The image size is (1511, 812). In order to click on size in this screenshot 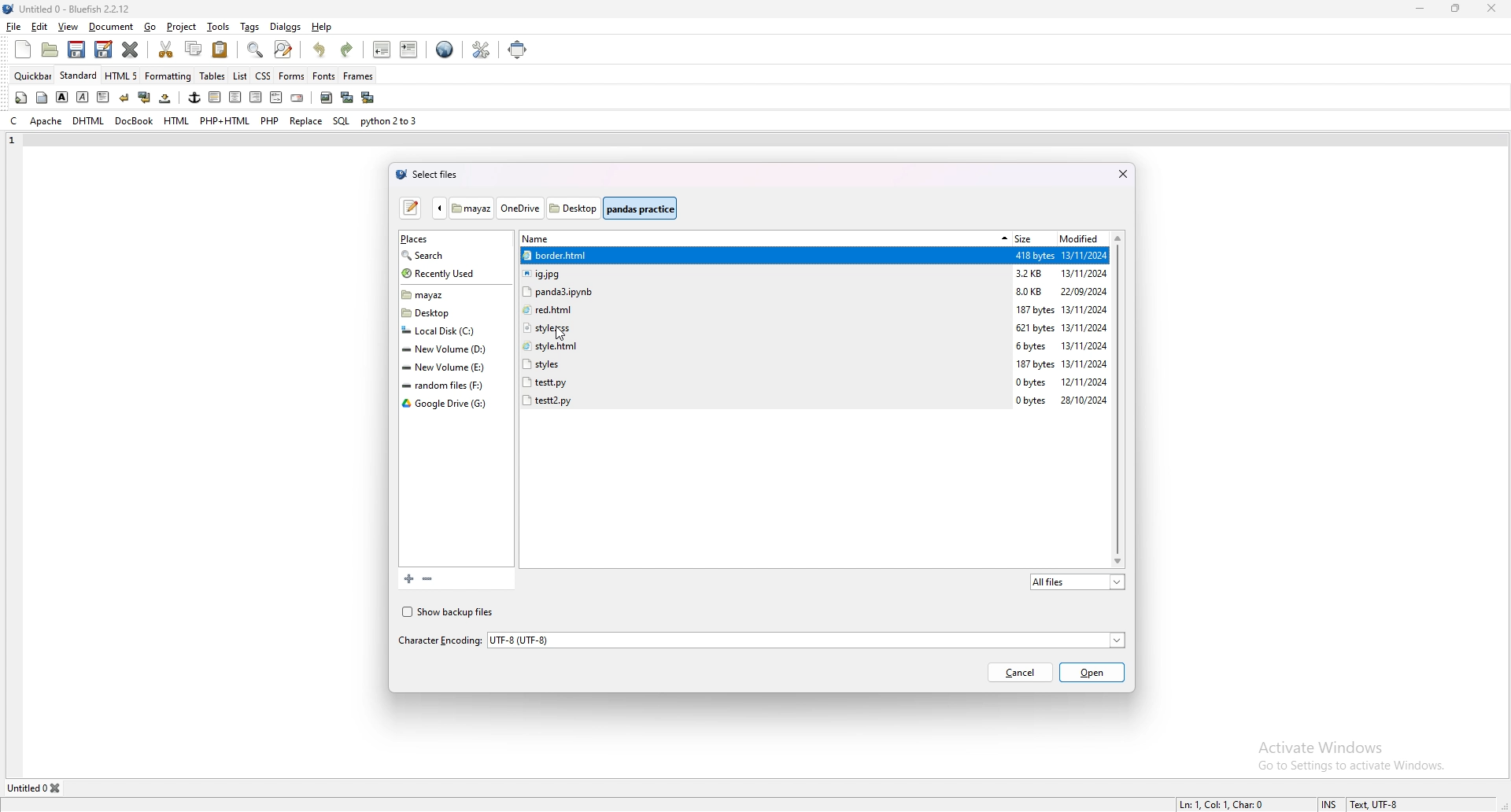, I will do `click(1031, 237)`.